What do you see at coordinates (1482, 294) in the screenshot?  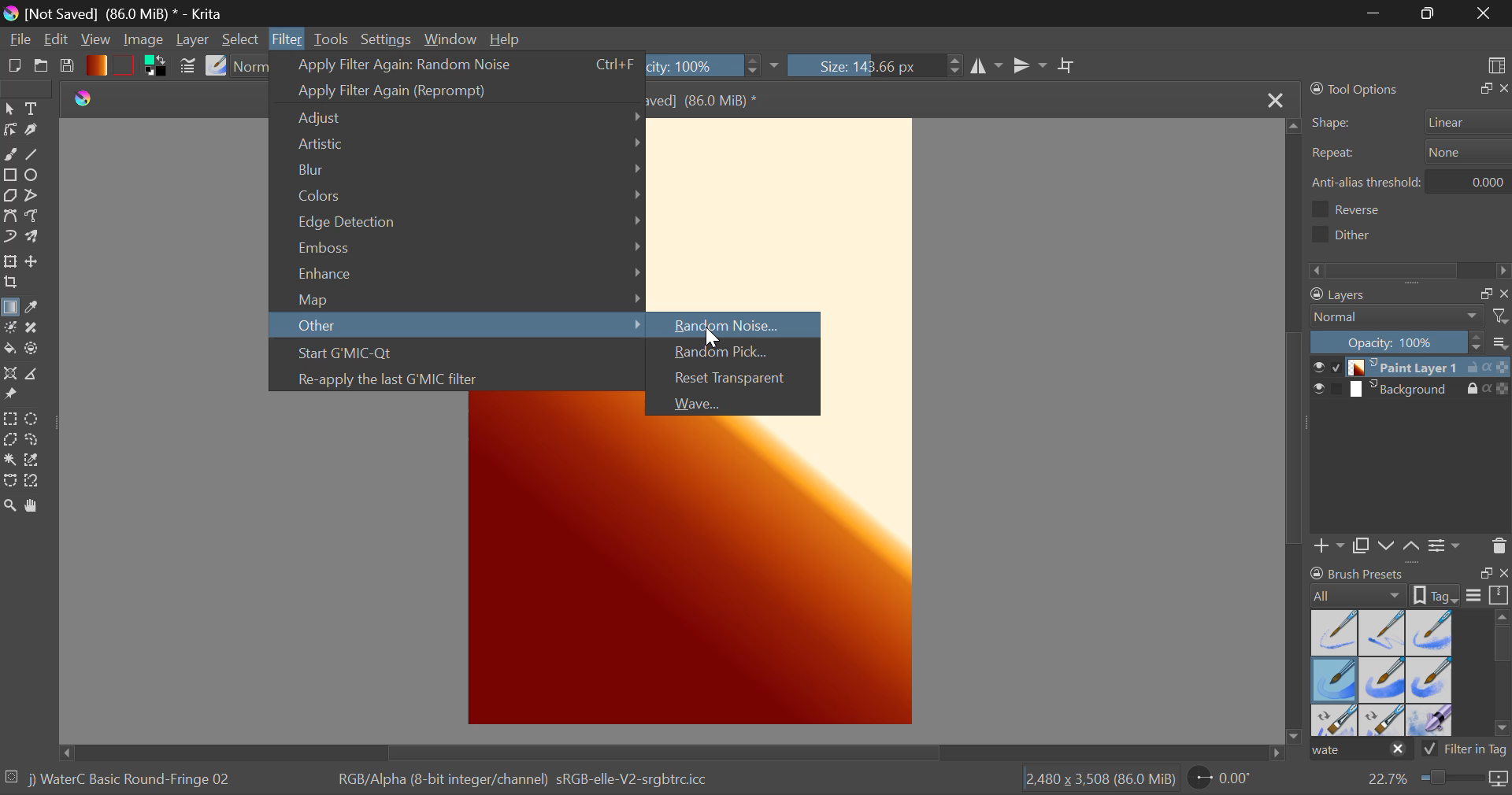 I see `copy ` at bounding box center [1482, 294].